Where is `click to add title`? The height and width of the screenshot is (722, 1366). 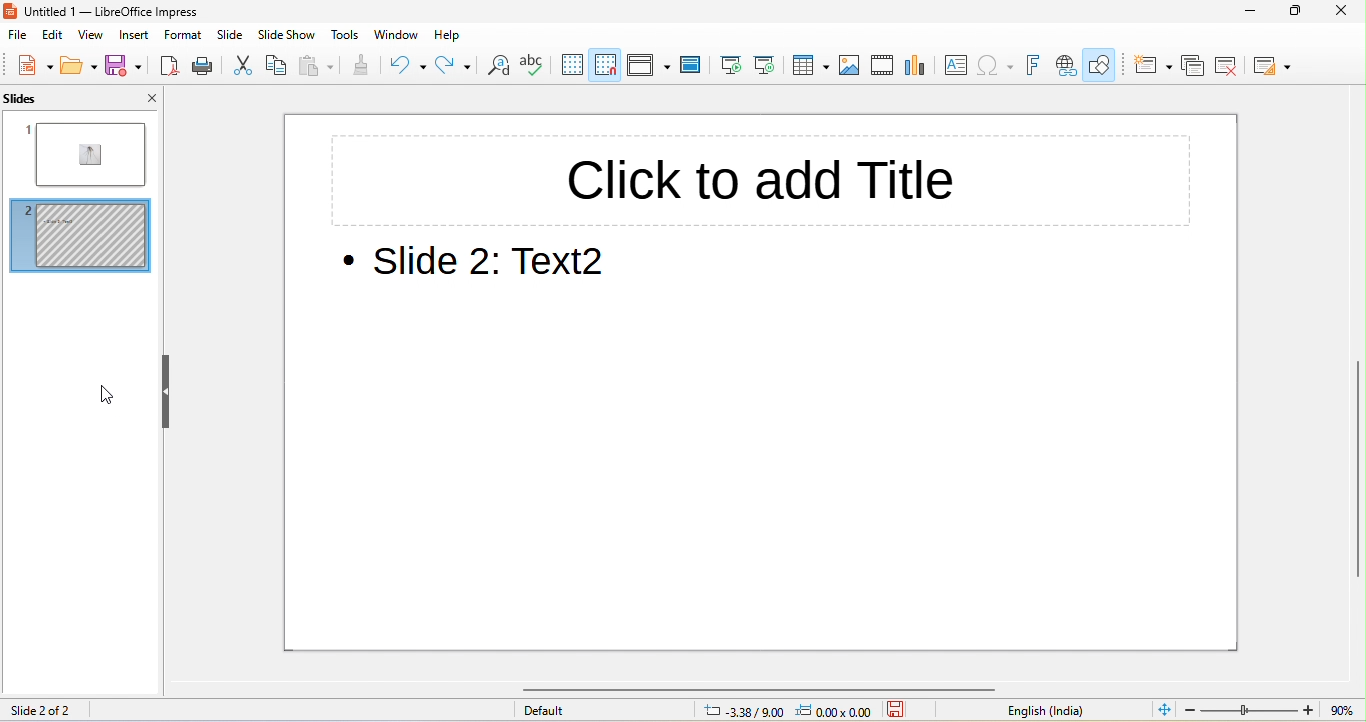
click to add title is located at coordinates (760, 179).